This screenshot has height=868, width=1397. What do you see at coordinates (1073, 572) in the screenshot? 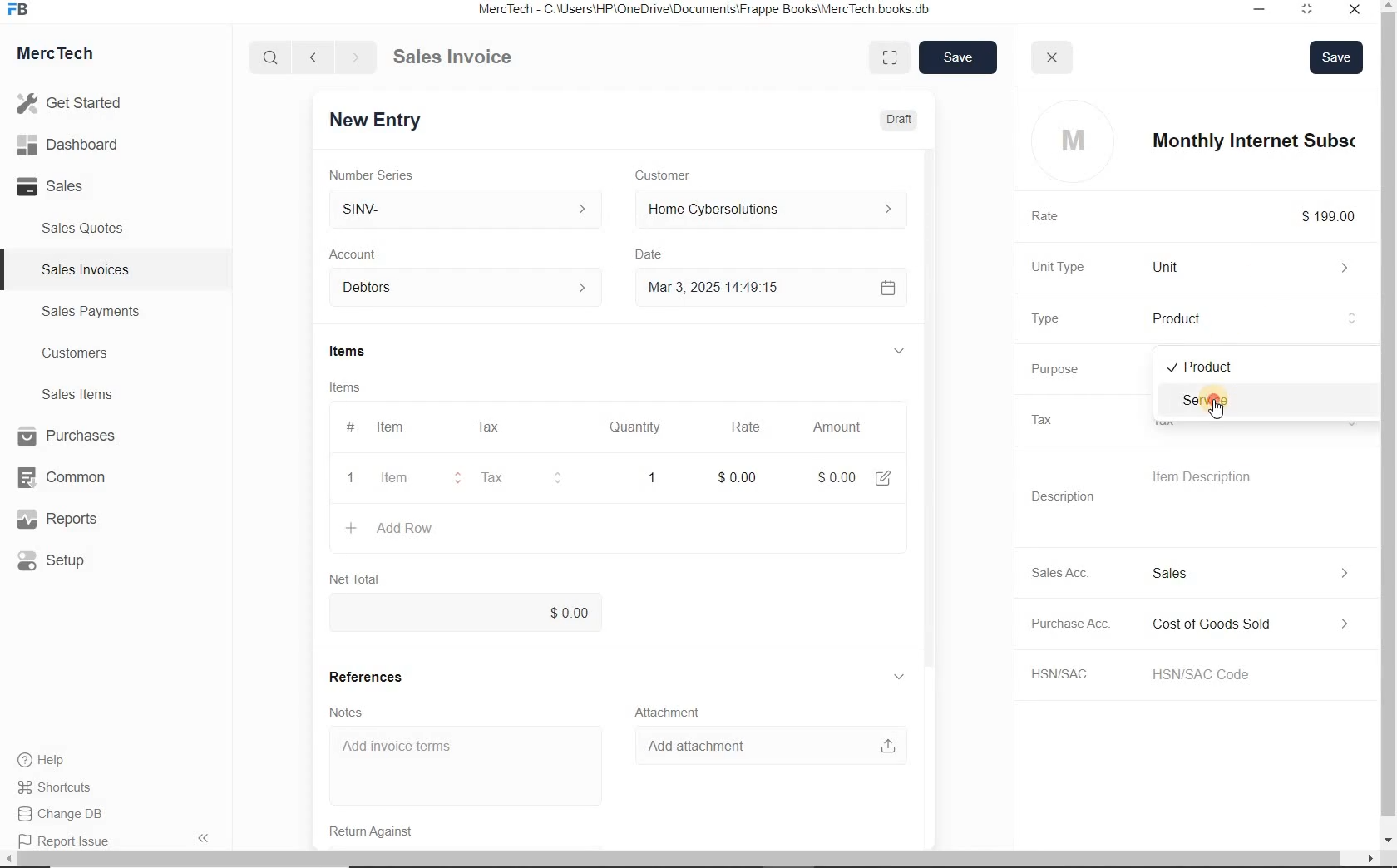
I see `Sales Acc.` at bounding box center [1073, 572].